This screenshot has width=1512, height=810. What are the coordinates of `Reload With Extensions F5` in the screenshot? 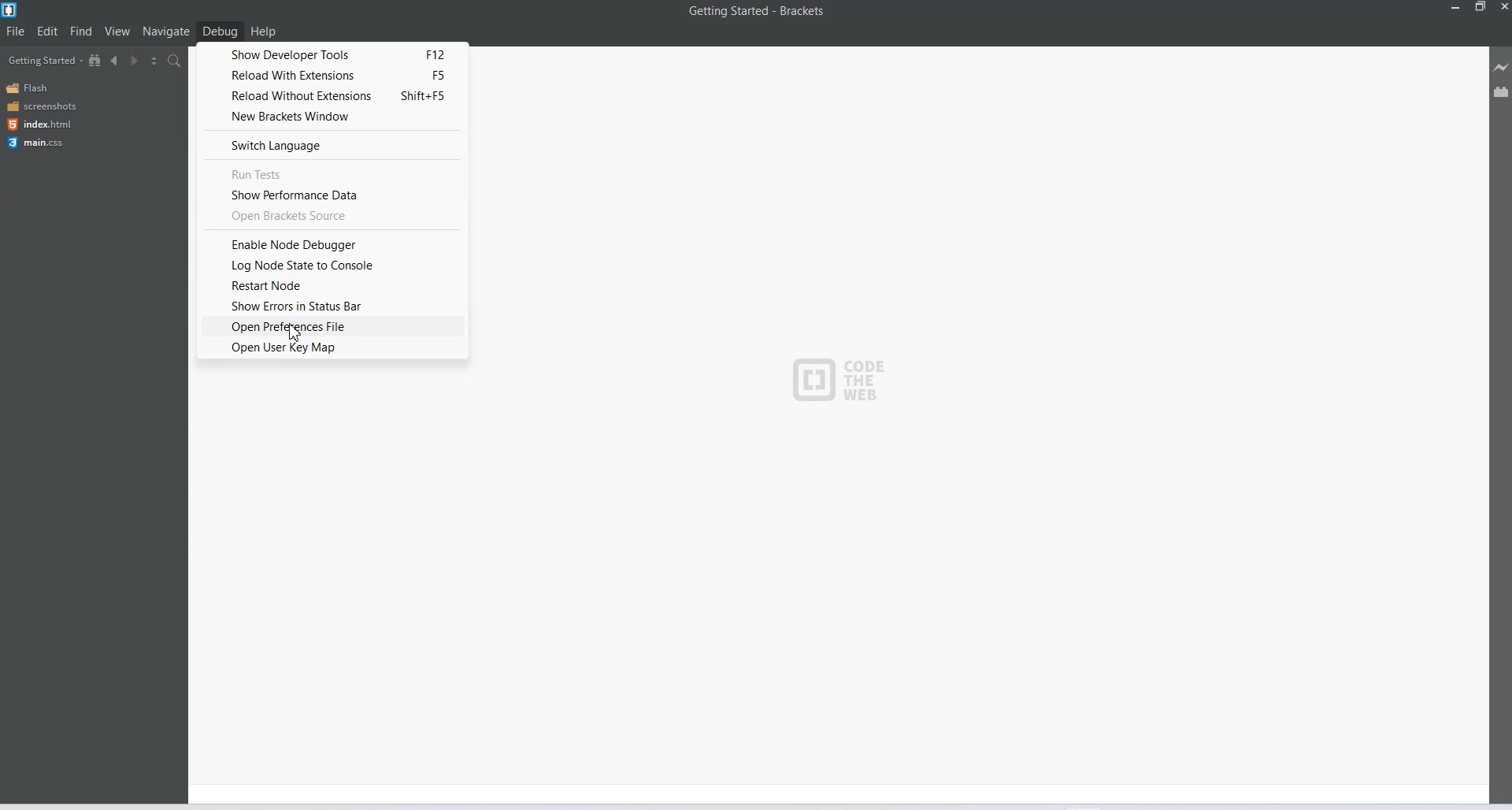 It's located at (333, 75).